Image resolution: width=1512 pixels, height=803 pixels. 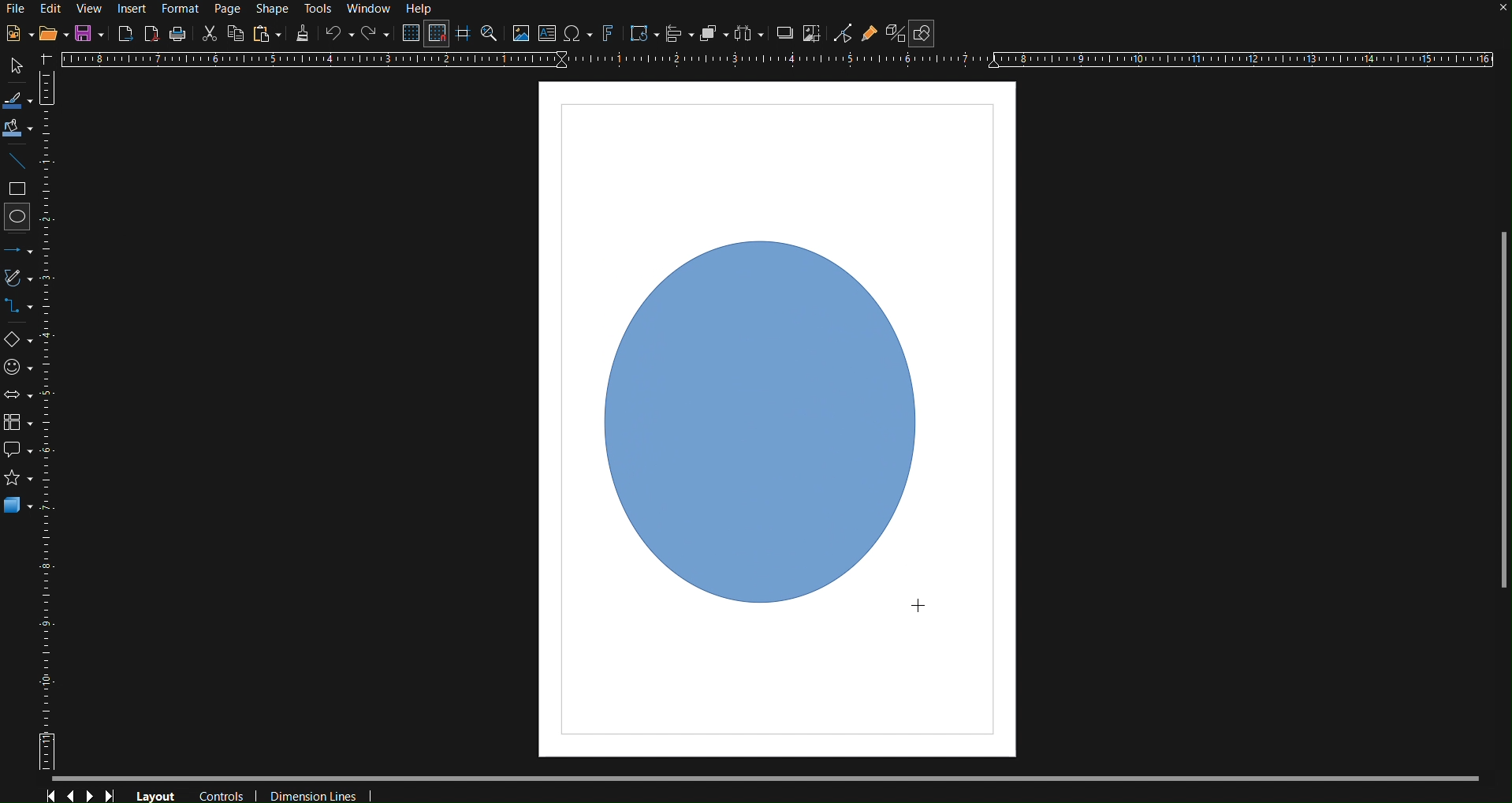 I want to click on Rectangle, so click(x=20, y=190).